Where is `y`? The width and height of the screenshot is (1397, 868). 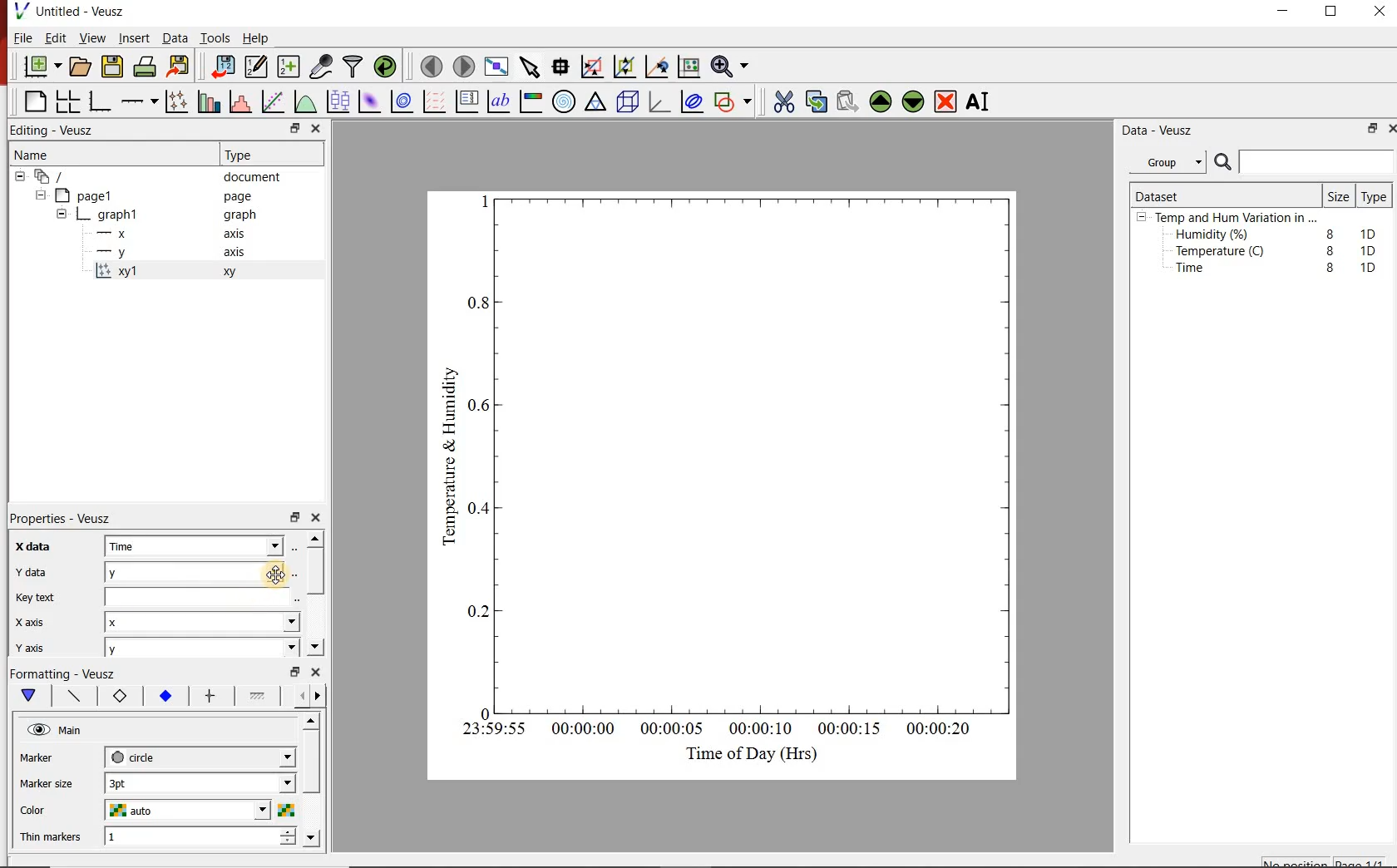 y is located at coordinates (136, 650).